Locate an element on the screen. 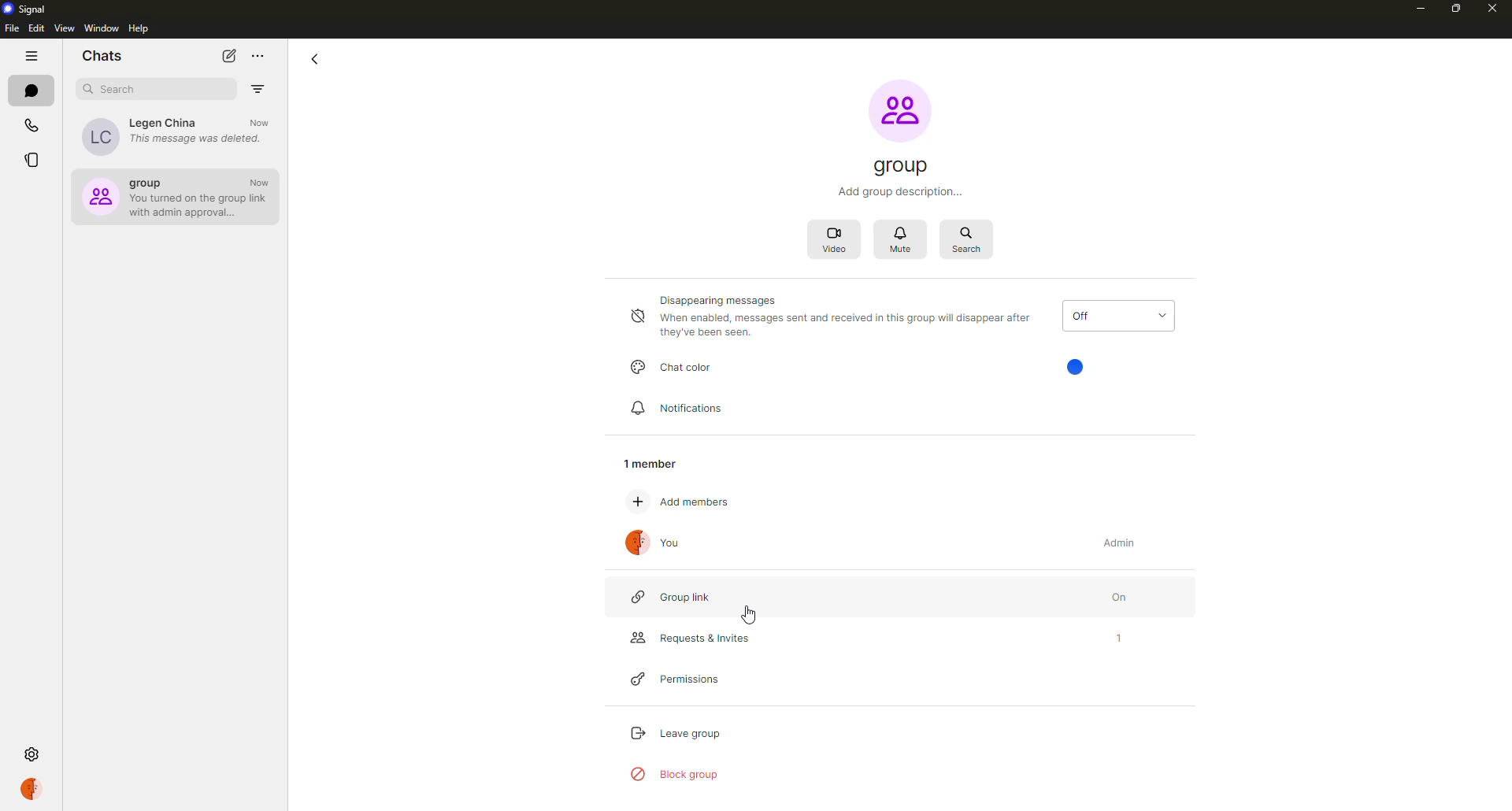 The image size is (1512, 811). video is located at coordinates (836, 242).